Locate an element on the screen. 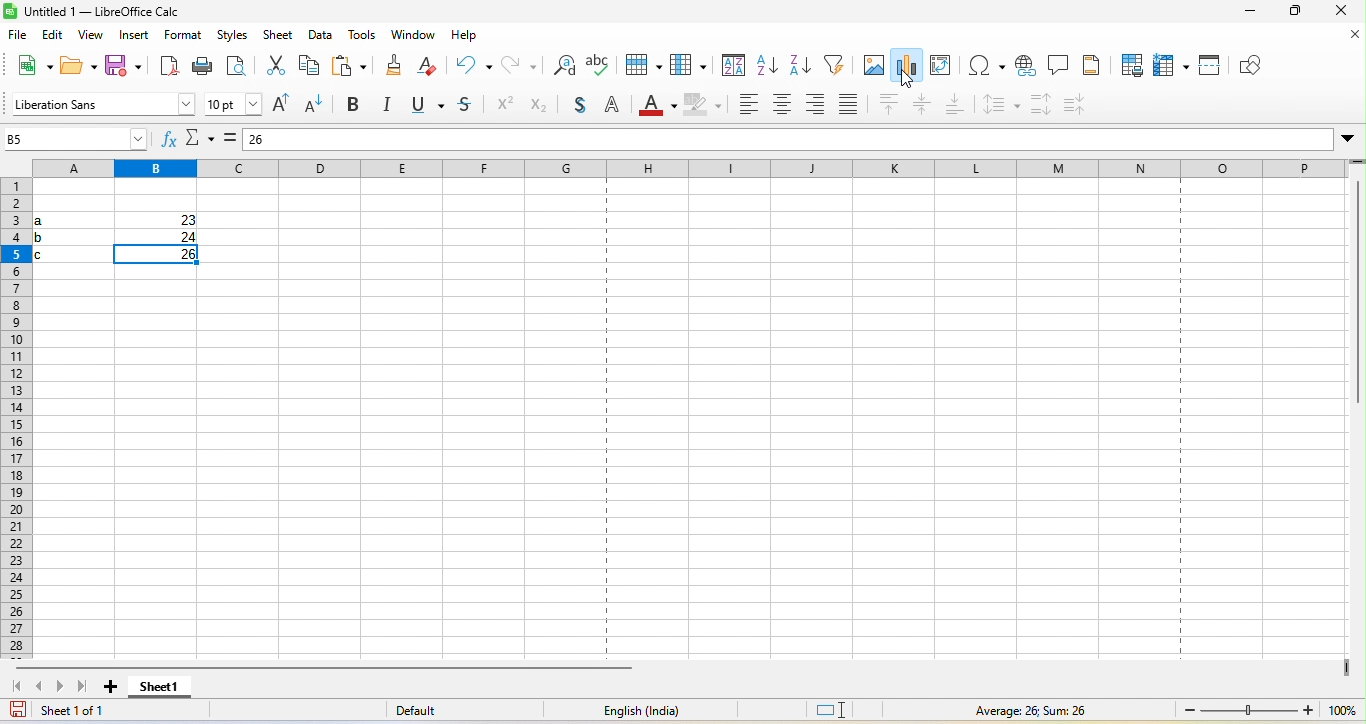  close is located at coordinates (1340, 12).